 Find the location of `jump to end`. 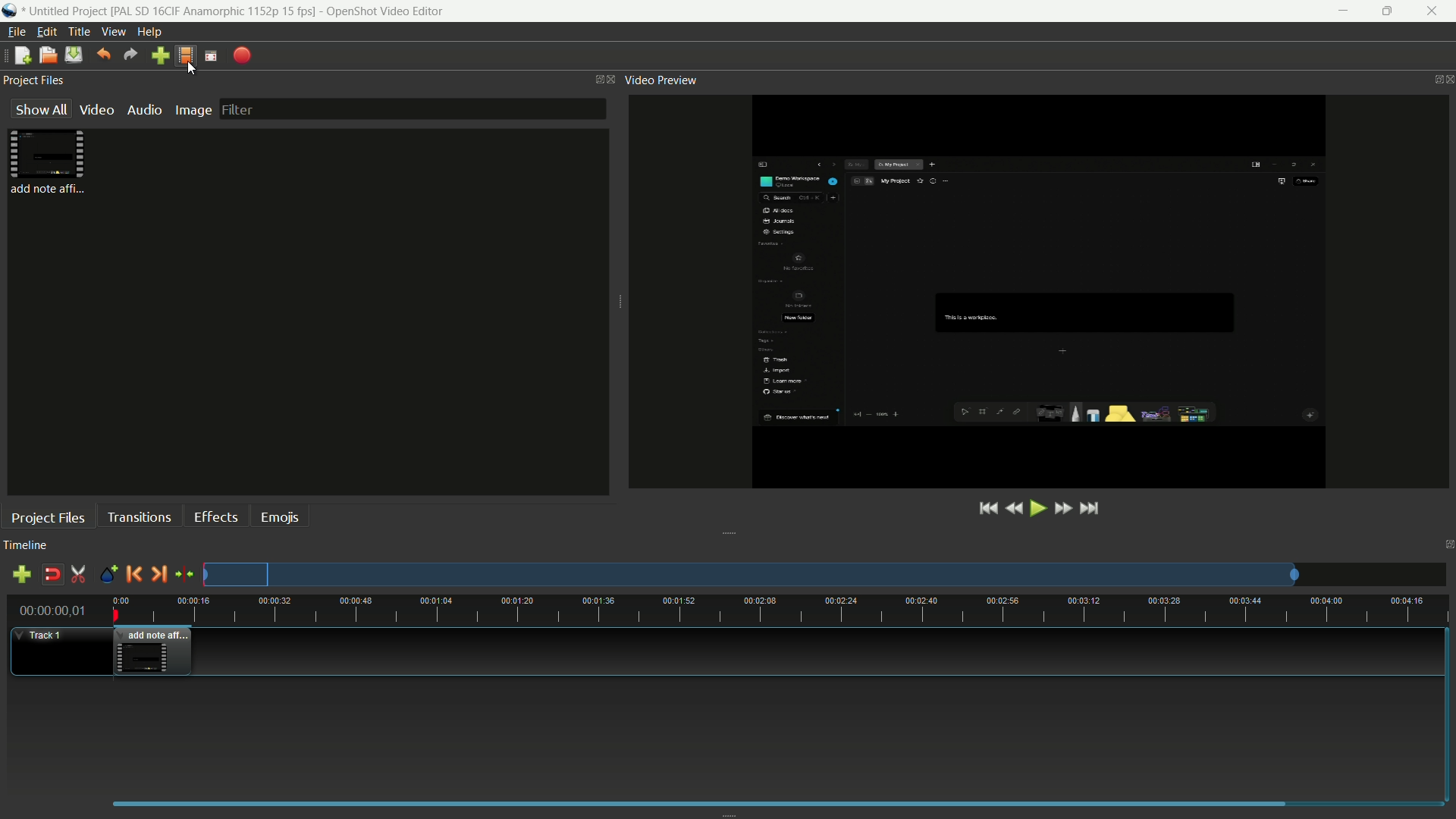

jump to end is located at coordinates (1089, 508).